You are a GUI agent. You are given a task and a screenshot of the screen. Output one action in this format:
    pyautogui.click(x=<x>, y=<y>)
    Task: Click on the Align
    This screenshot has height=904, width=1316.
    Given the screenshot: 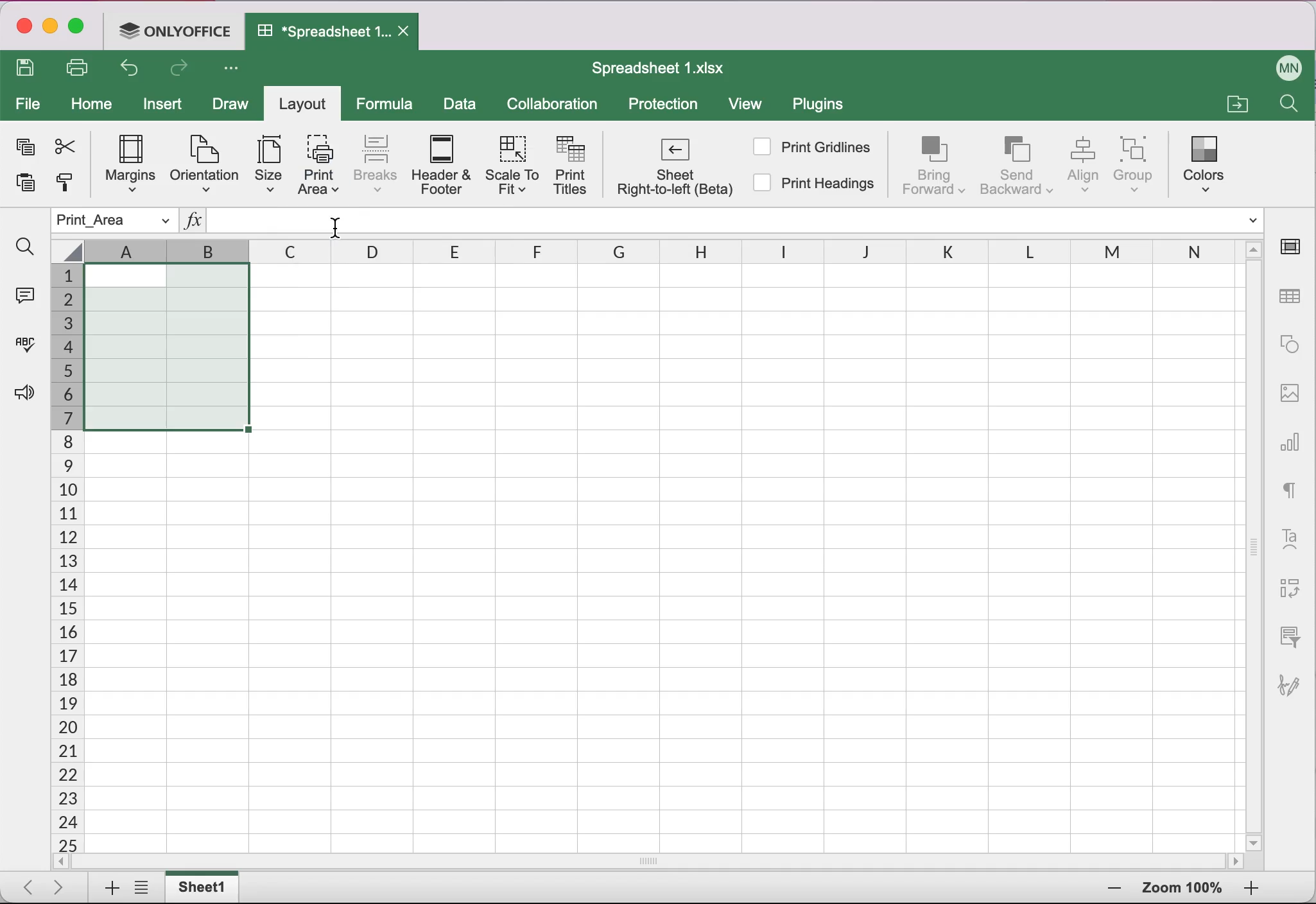 What is the action you would take?
    pyautogui.click(x=1085, y=165)
    